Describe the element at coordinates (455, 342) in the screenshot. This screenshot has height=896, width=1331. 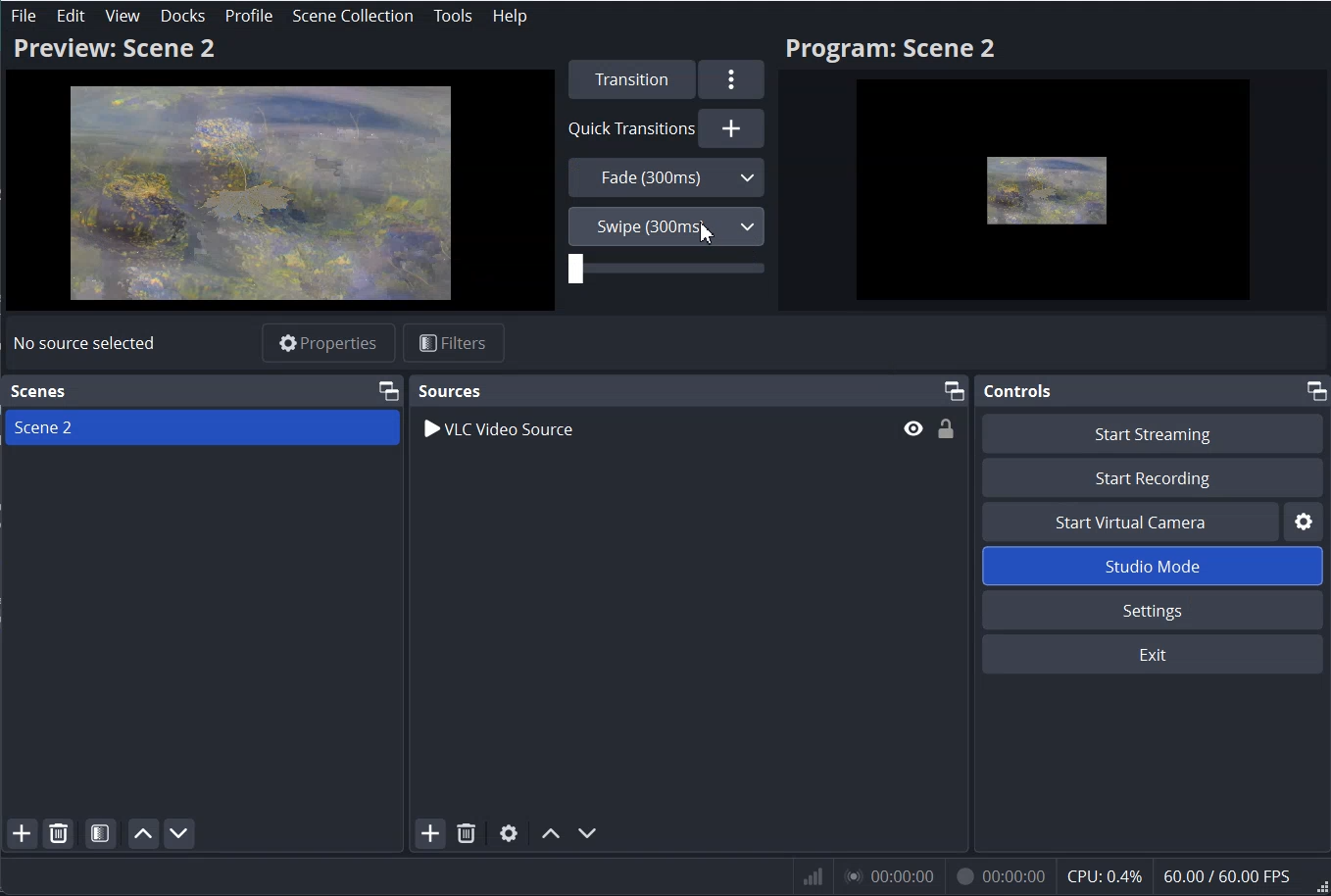
I see `Filters` at that location.